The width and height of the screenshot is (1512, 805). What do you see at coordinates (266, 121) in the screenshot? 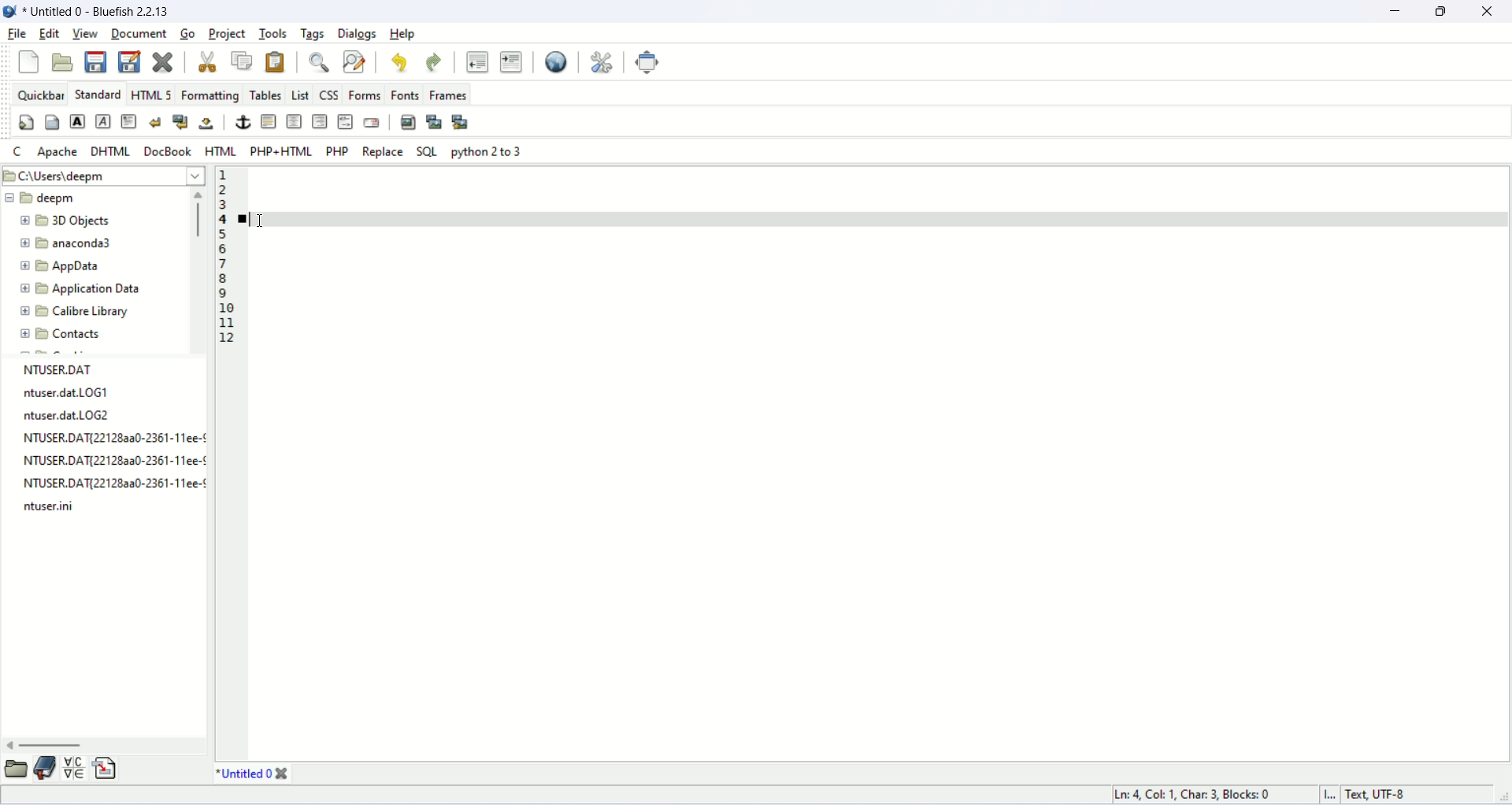
I see `horizontal rule` at bounding box center [266, 121].